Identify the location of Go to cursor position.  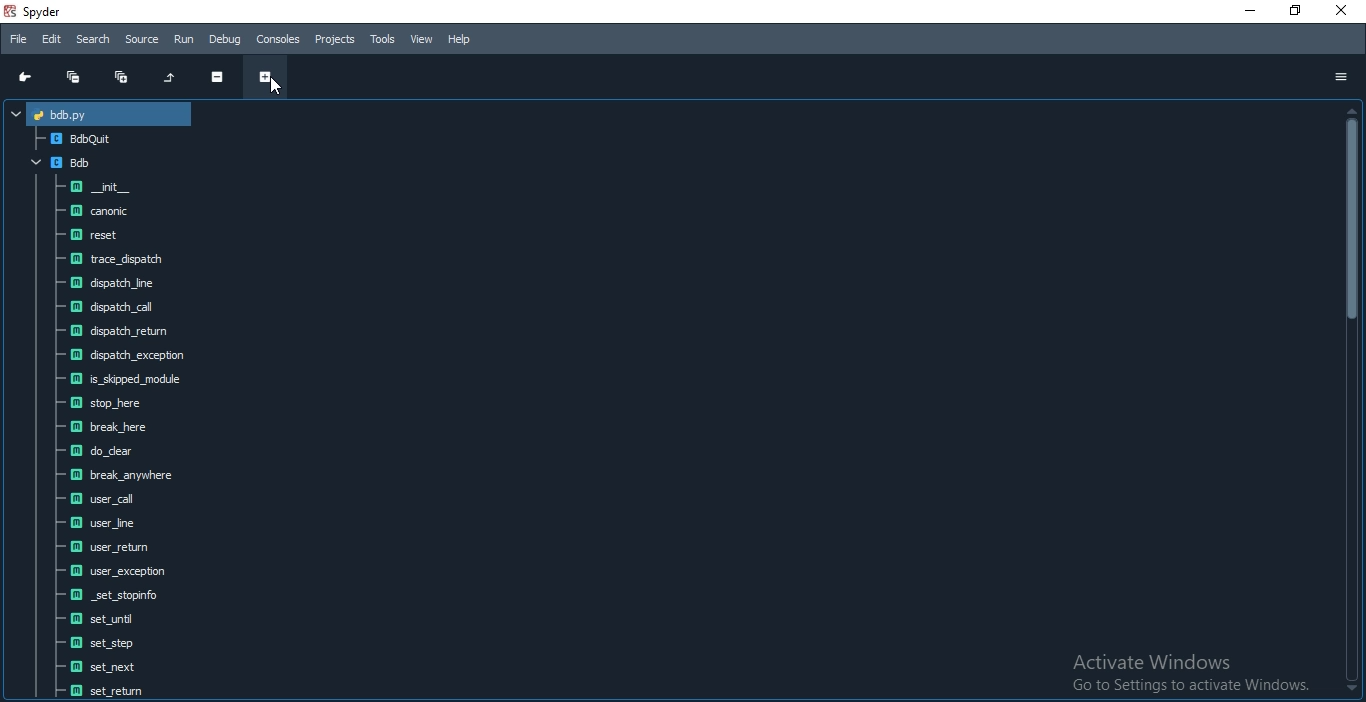
(20, 78).